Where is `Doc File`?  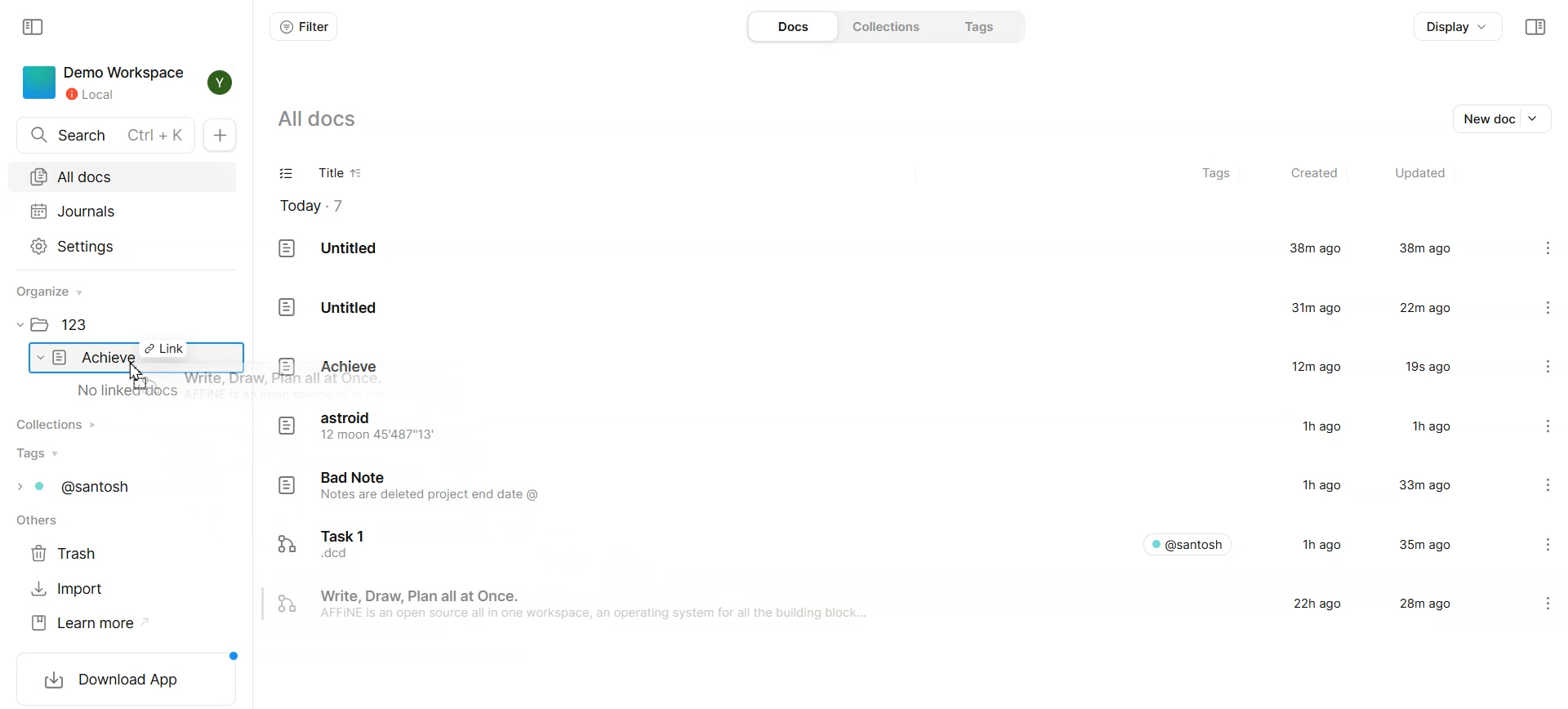 Doc File is located at coordinates (877, 605).